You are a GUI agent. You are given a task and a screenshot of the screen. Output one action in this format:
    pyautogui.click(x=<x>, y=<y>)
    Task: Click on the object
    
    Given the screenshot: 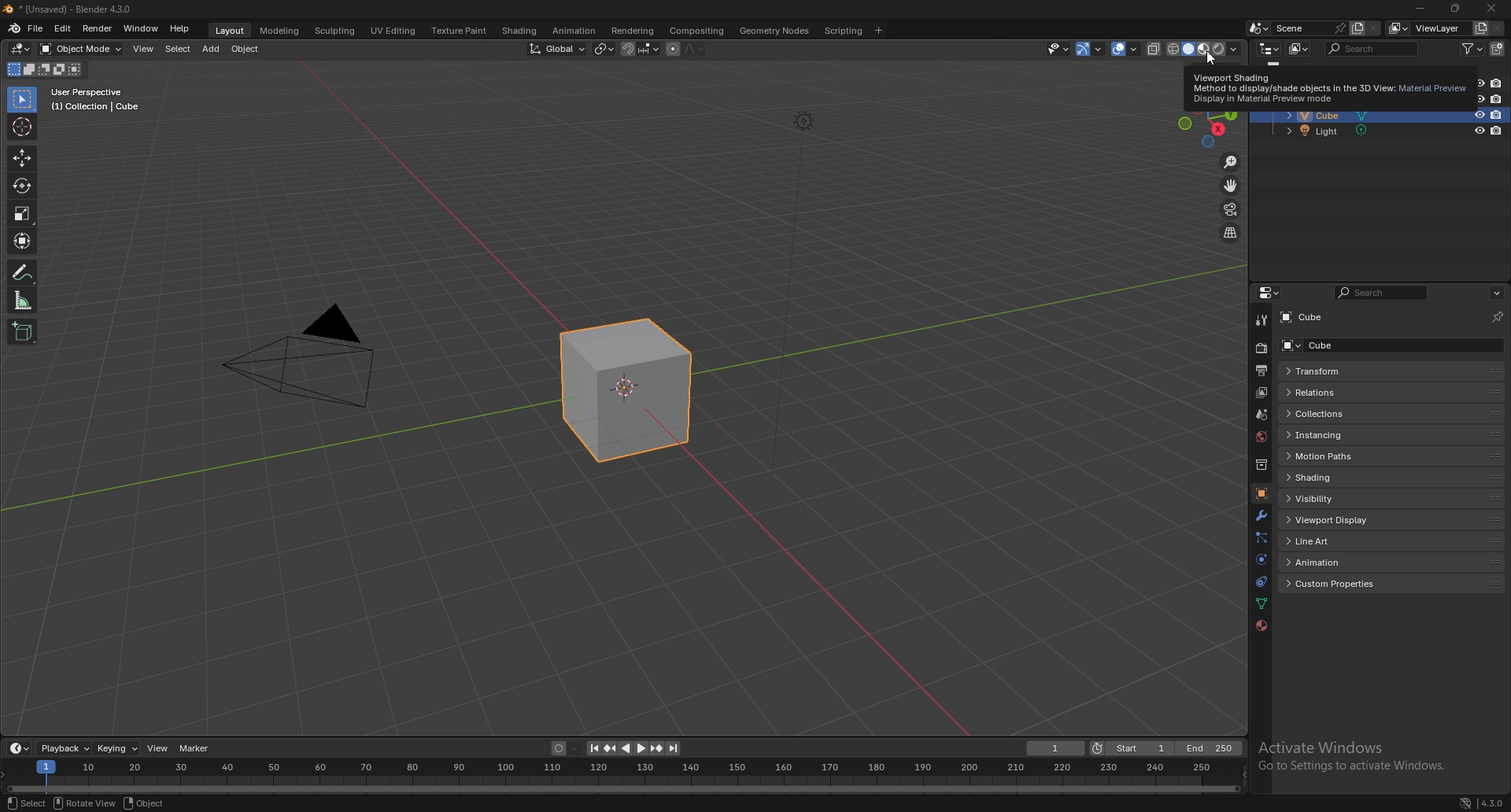 What is the action you would take?
    pyautogui.click(x=1261, y=494)
    